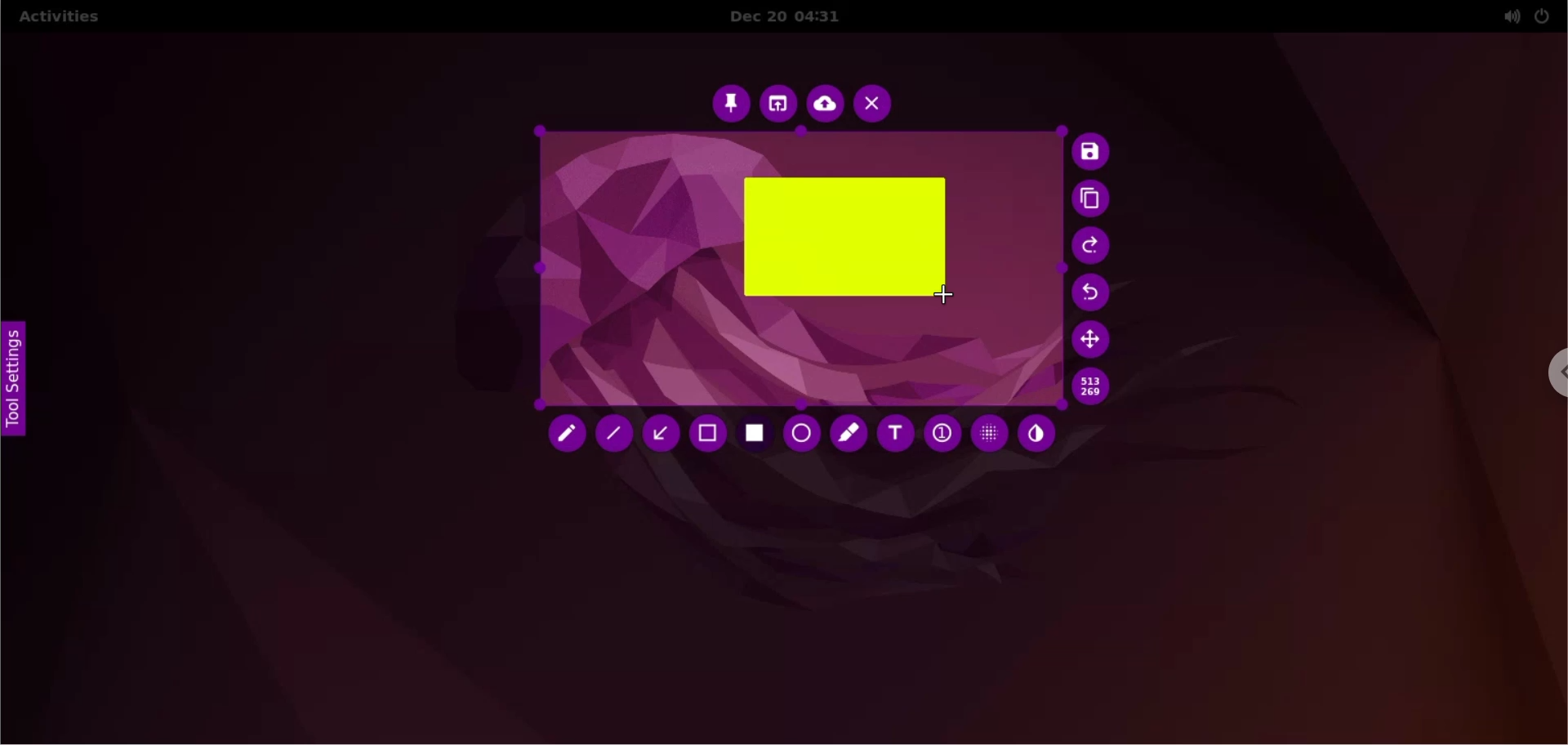 Image resolution: width=1568 pixels, height=745 pixels. I want to click on rectangle, so click(844, 237).